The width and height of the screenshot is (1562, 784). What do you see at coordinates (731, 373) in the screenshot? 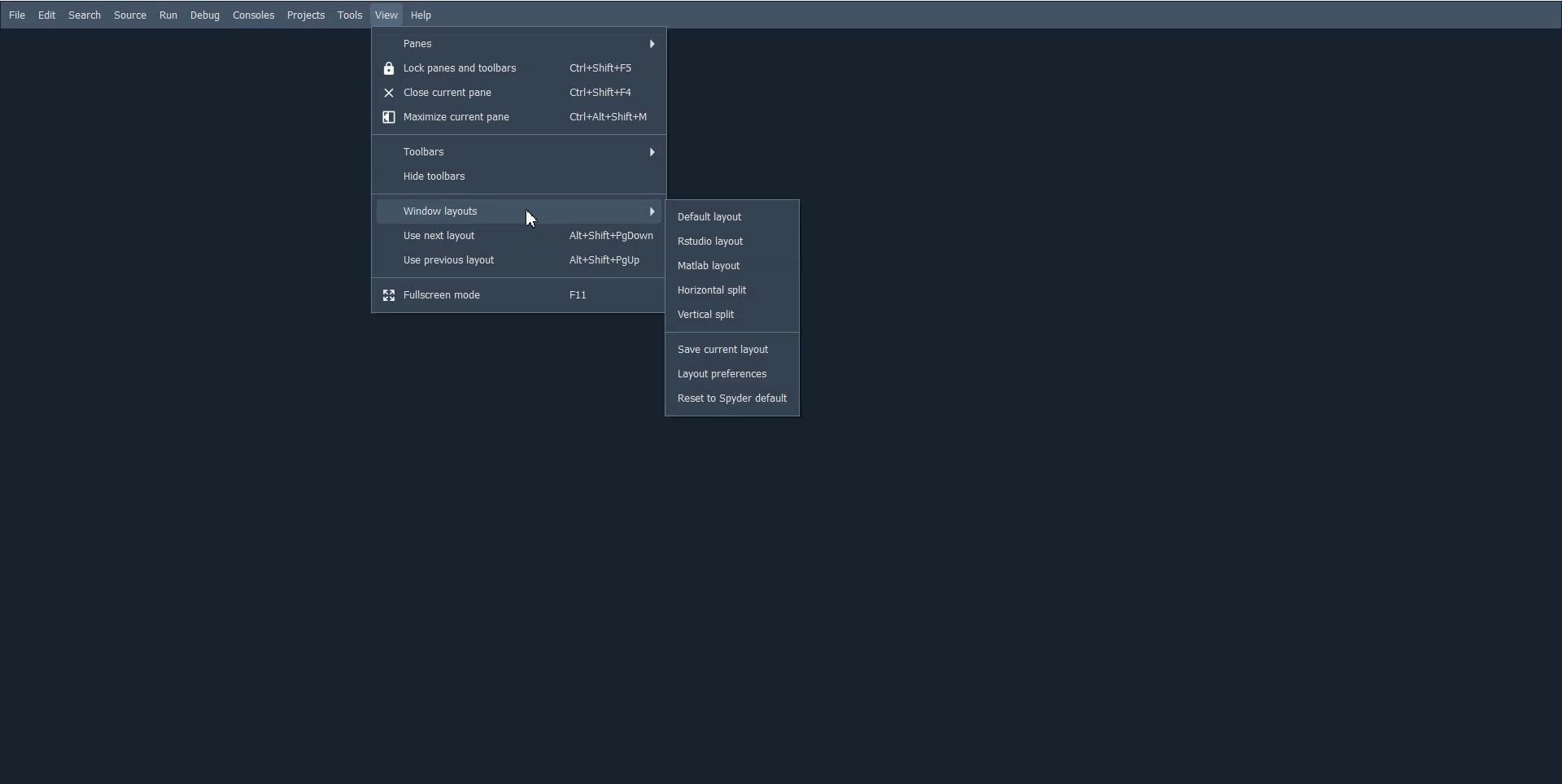
I see `Layout preferences` at bounding box center [731, 373].